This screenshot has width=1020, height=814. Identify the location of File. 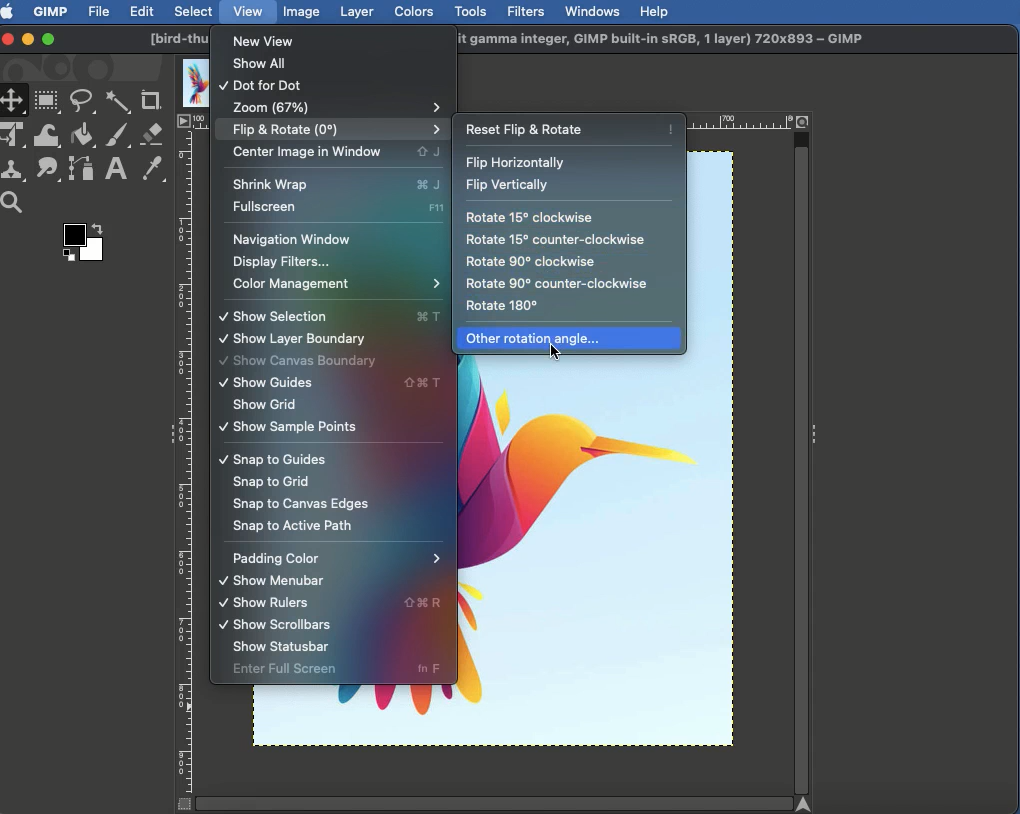
(100, 10).